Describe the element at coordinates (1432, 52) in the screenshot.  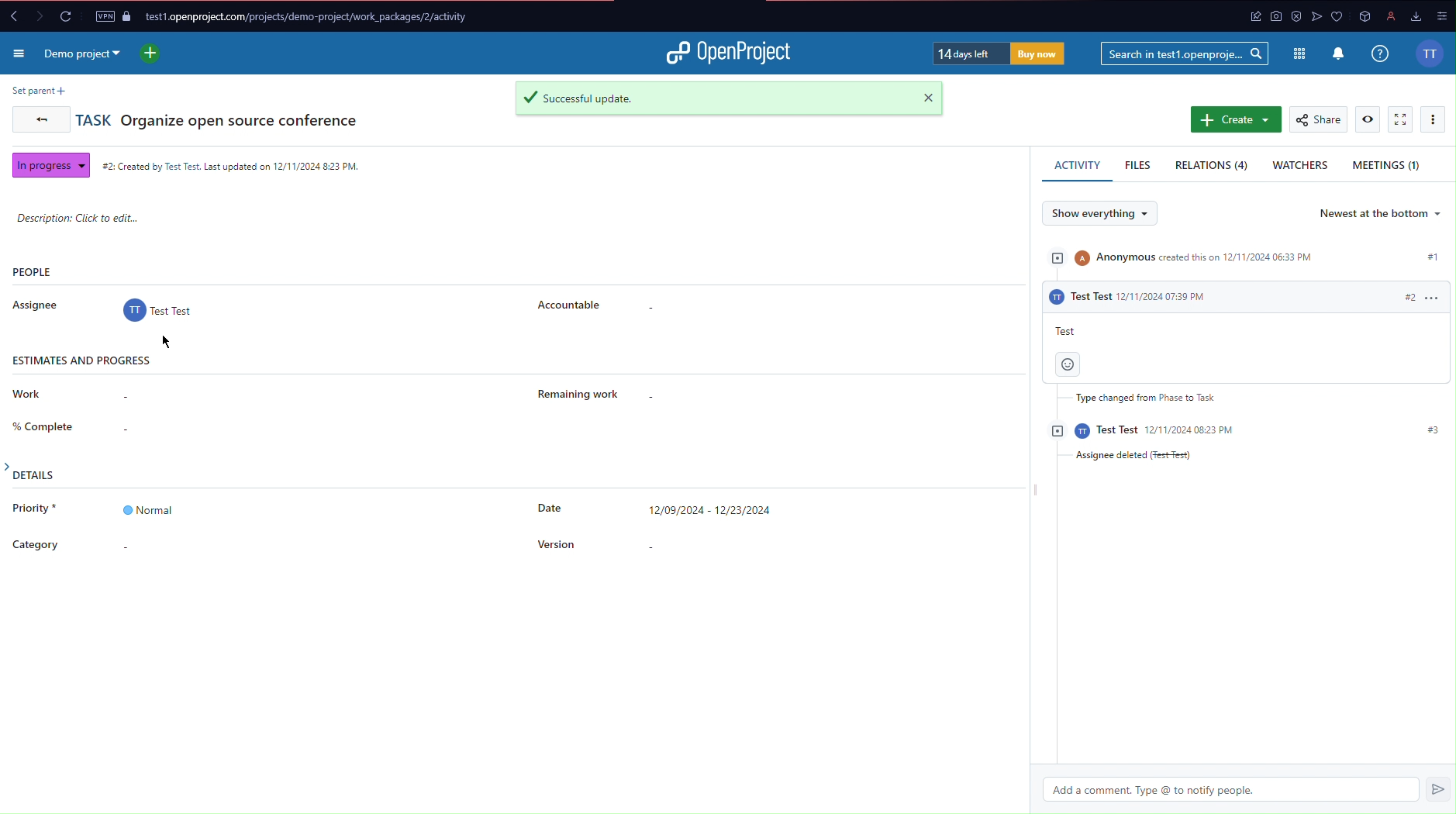
I see `Account` at that location.